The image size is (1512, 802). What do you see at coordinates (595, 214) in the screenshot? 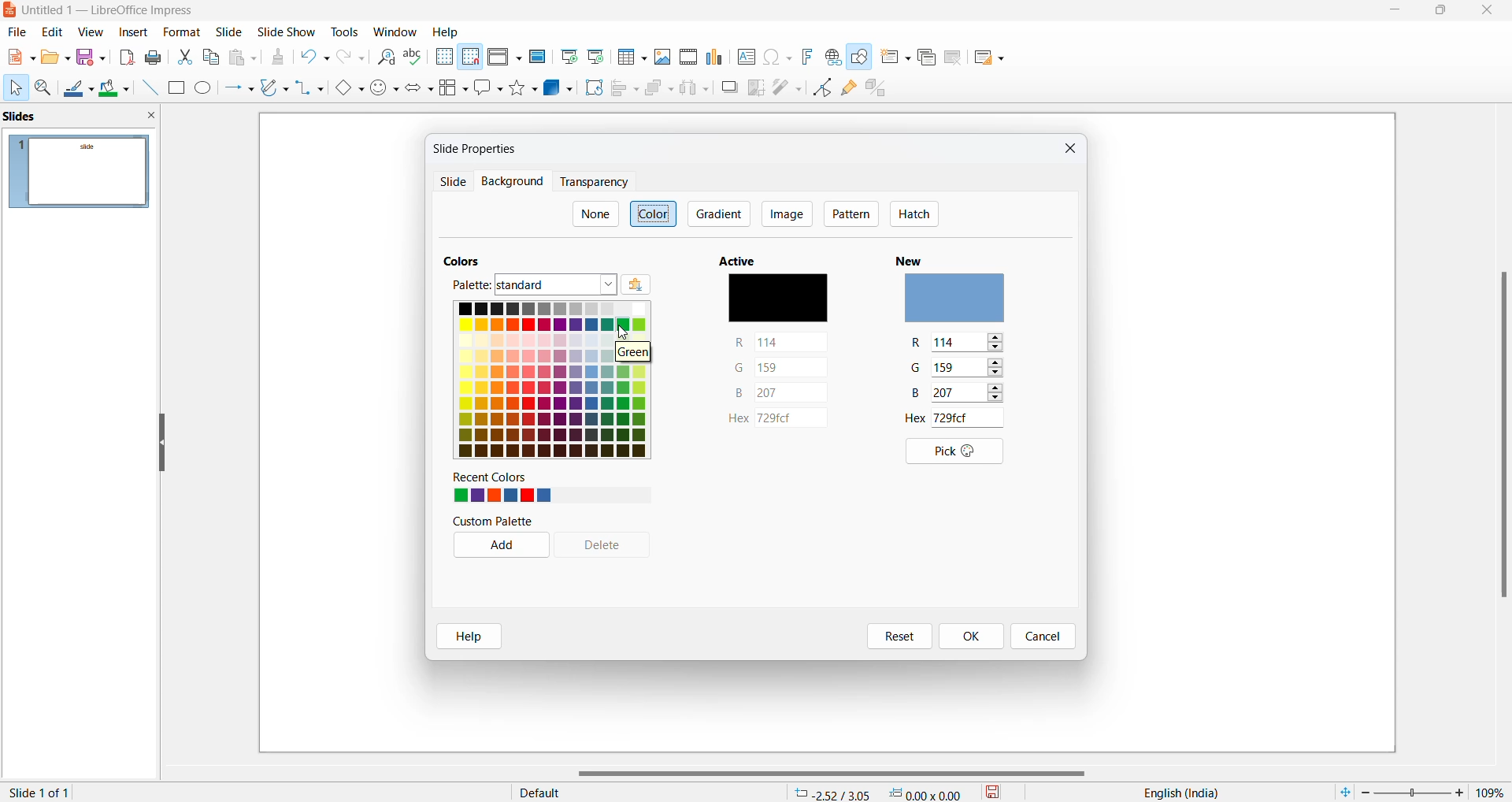
I see `none` at bounding box center [595, 214].